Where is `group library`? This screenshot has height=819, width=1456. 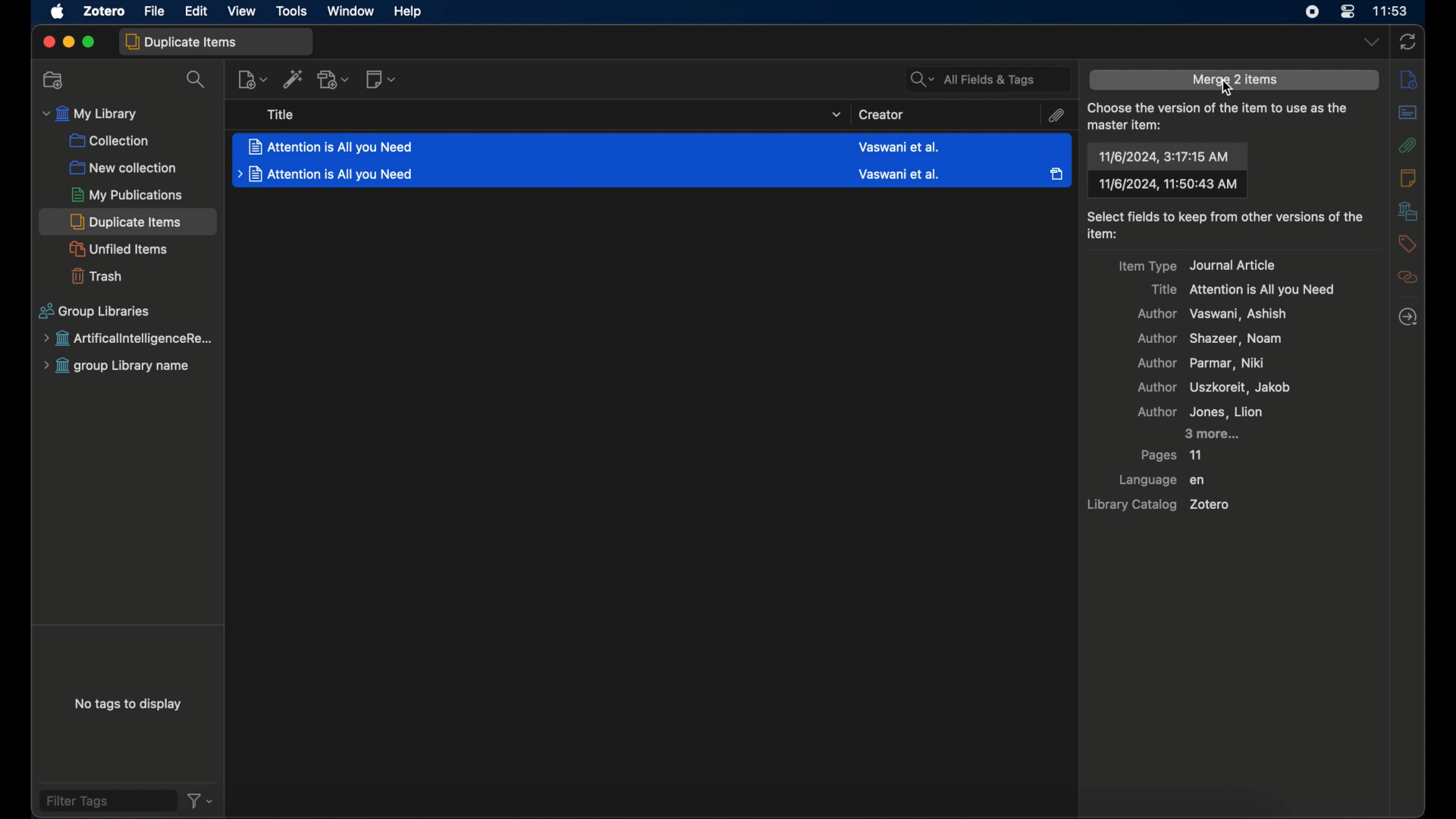
group library is located at coordinates (127, 339).